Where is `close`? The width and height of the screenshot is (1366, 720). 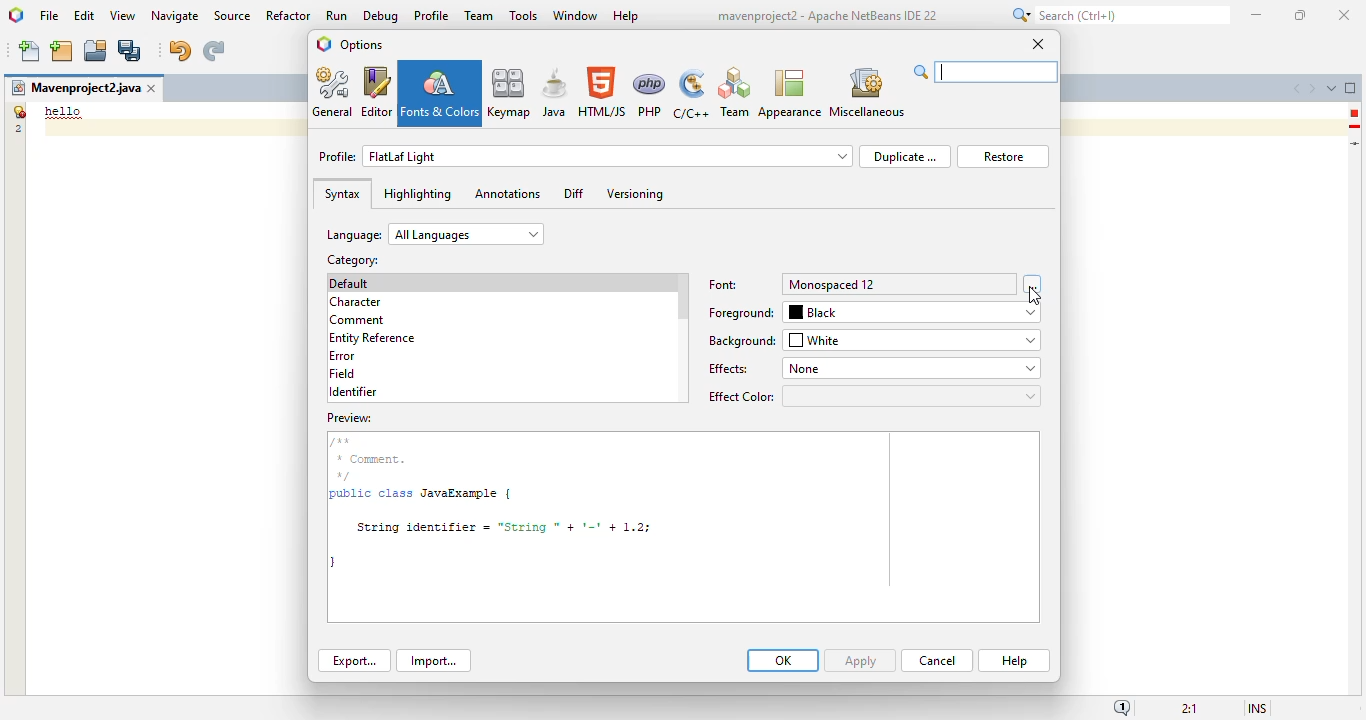
close is located at coordinates (1345, 16).